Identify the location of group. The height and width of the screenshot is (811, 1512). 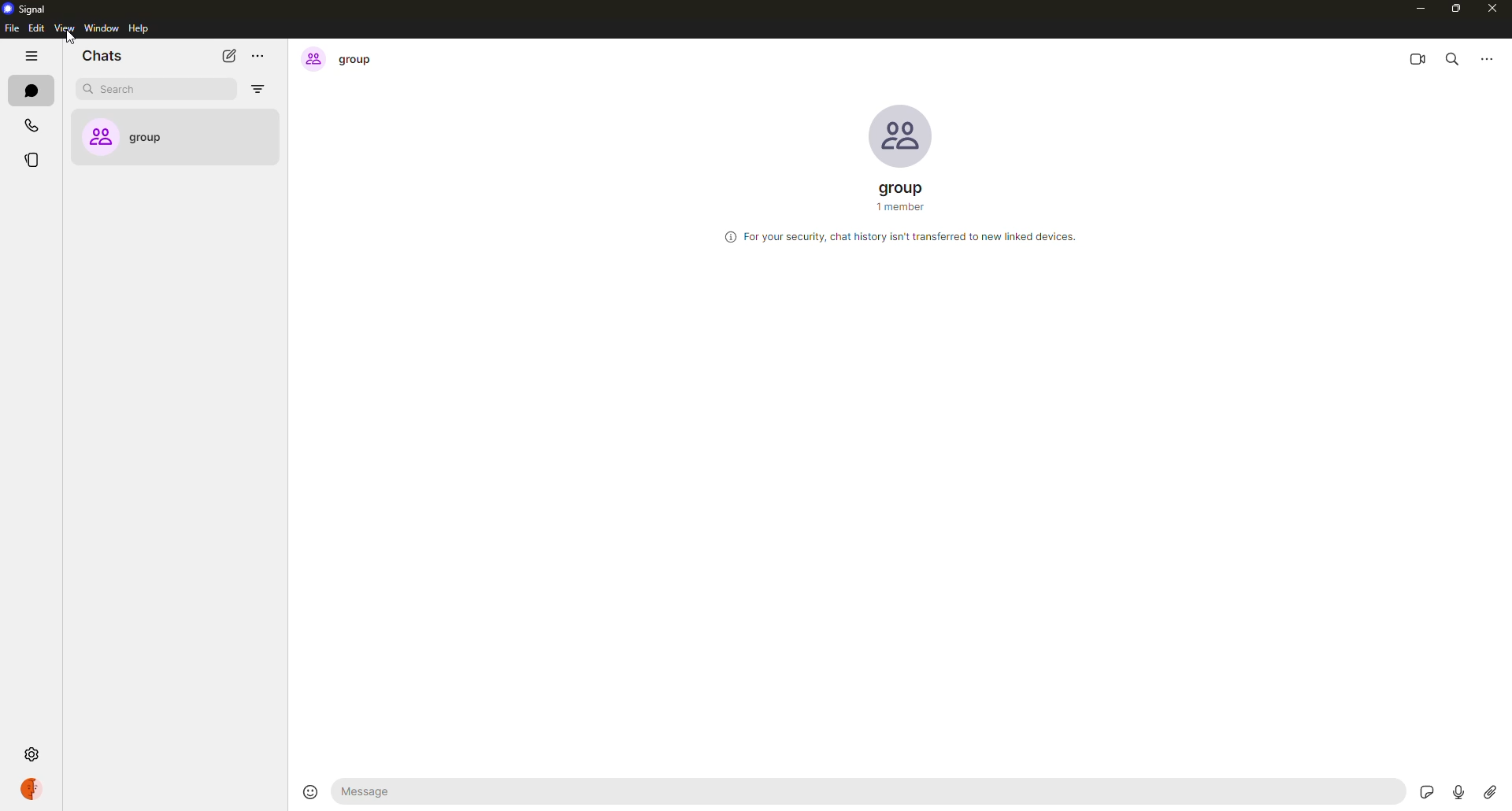
(900, 194).